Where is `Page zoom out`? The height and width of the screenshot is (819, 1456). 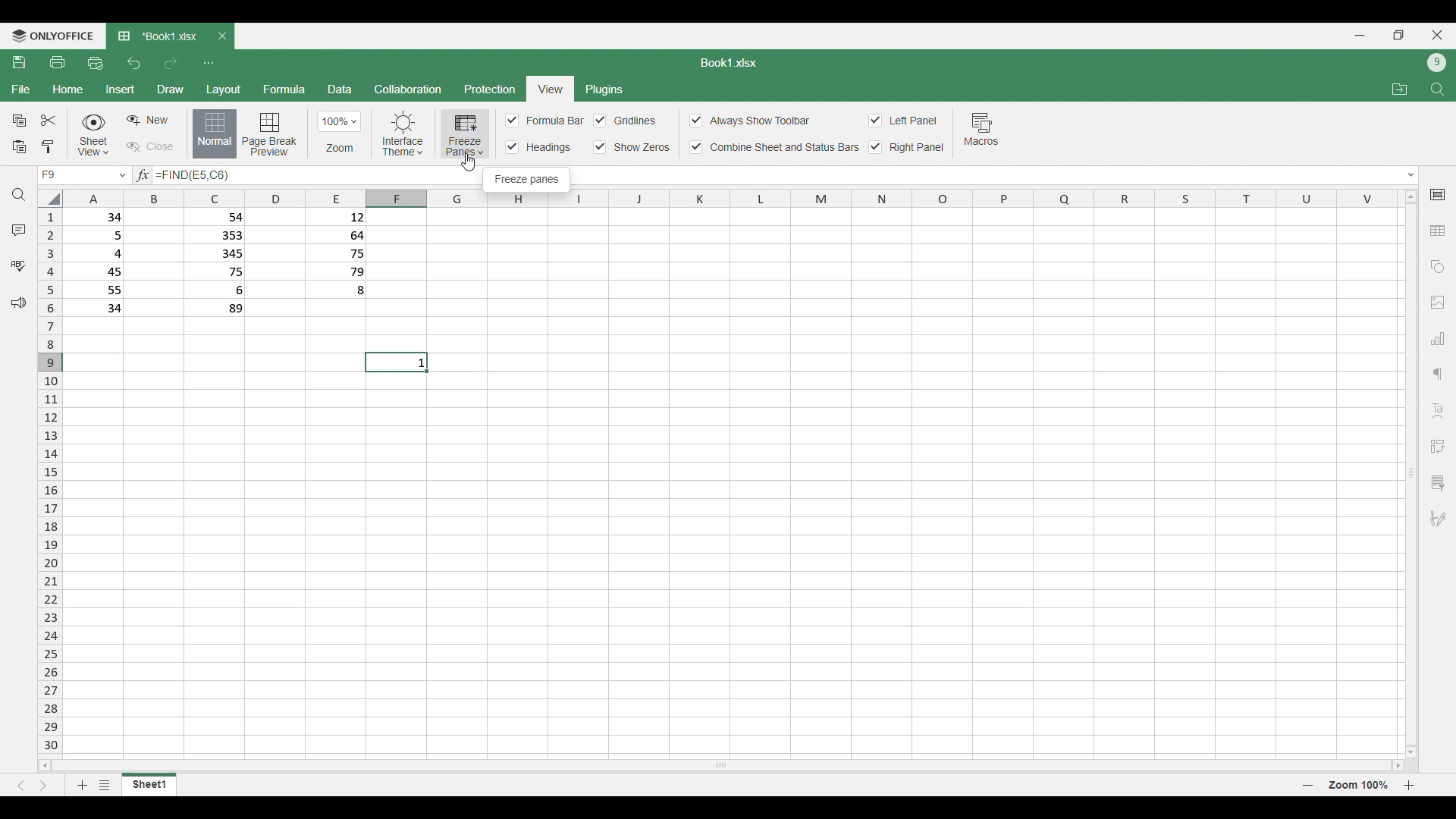 Page zoom out is located at coordinates (1308, 786).